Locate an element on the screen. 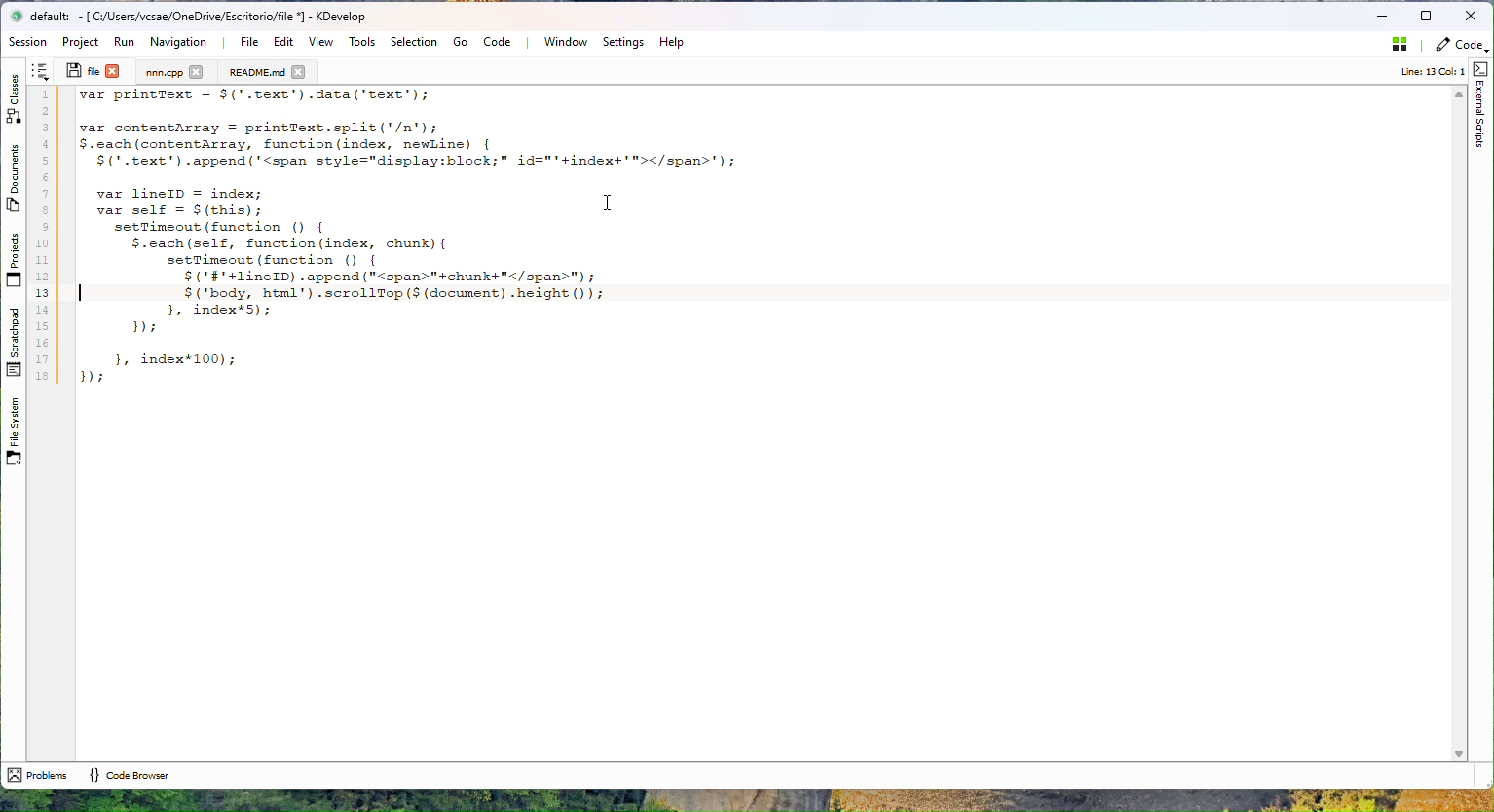 Image resolution: width=1494 pixels, height=812 pixels. Document is located at coordinates (256, 72).